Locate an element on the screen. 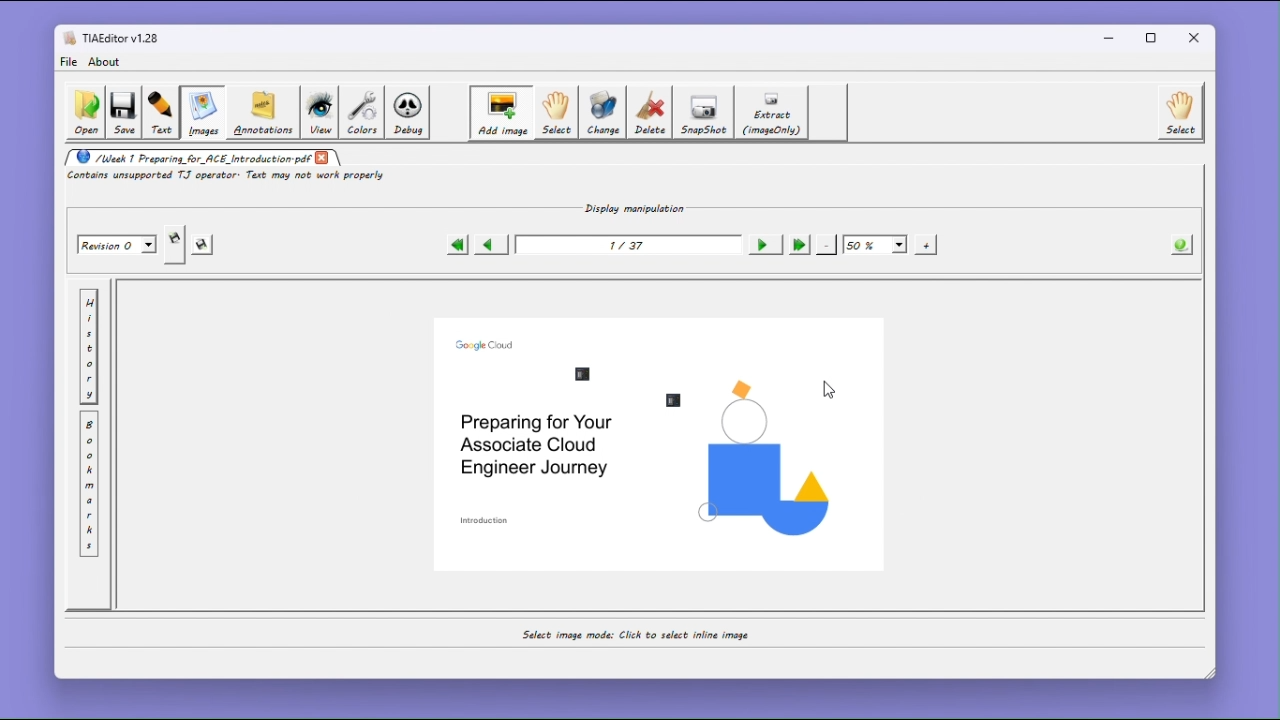 This screenshot has height=720, width=1280. newly inserted image is located at coordinates (582, 375).